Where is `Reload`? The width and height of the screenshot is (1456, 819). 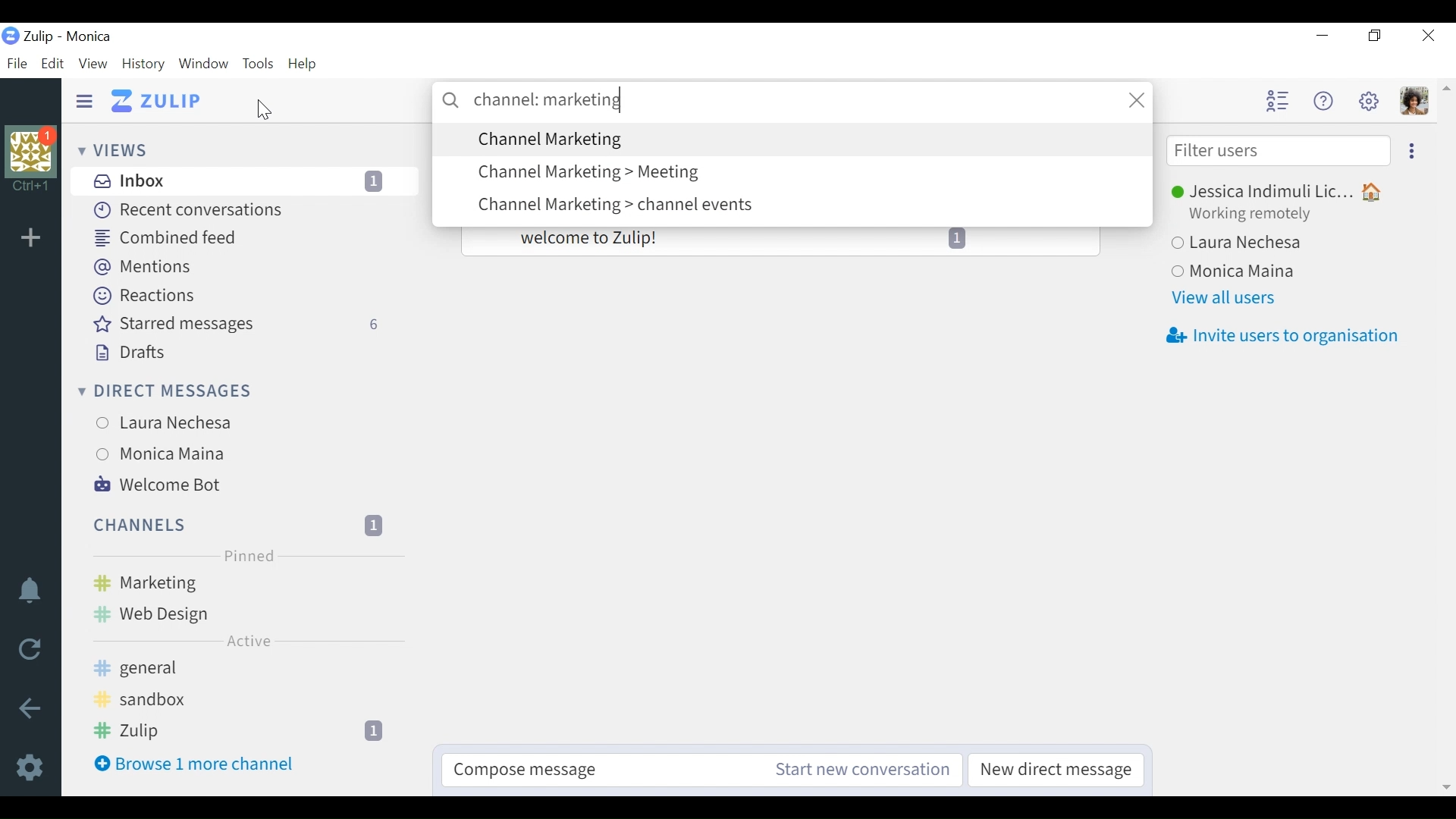 Reload is located at coordinates (28, 646).